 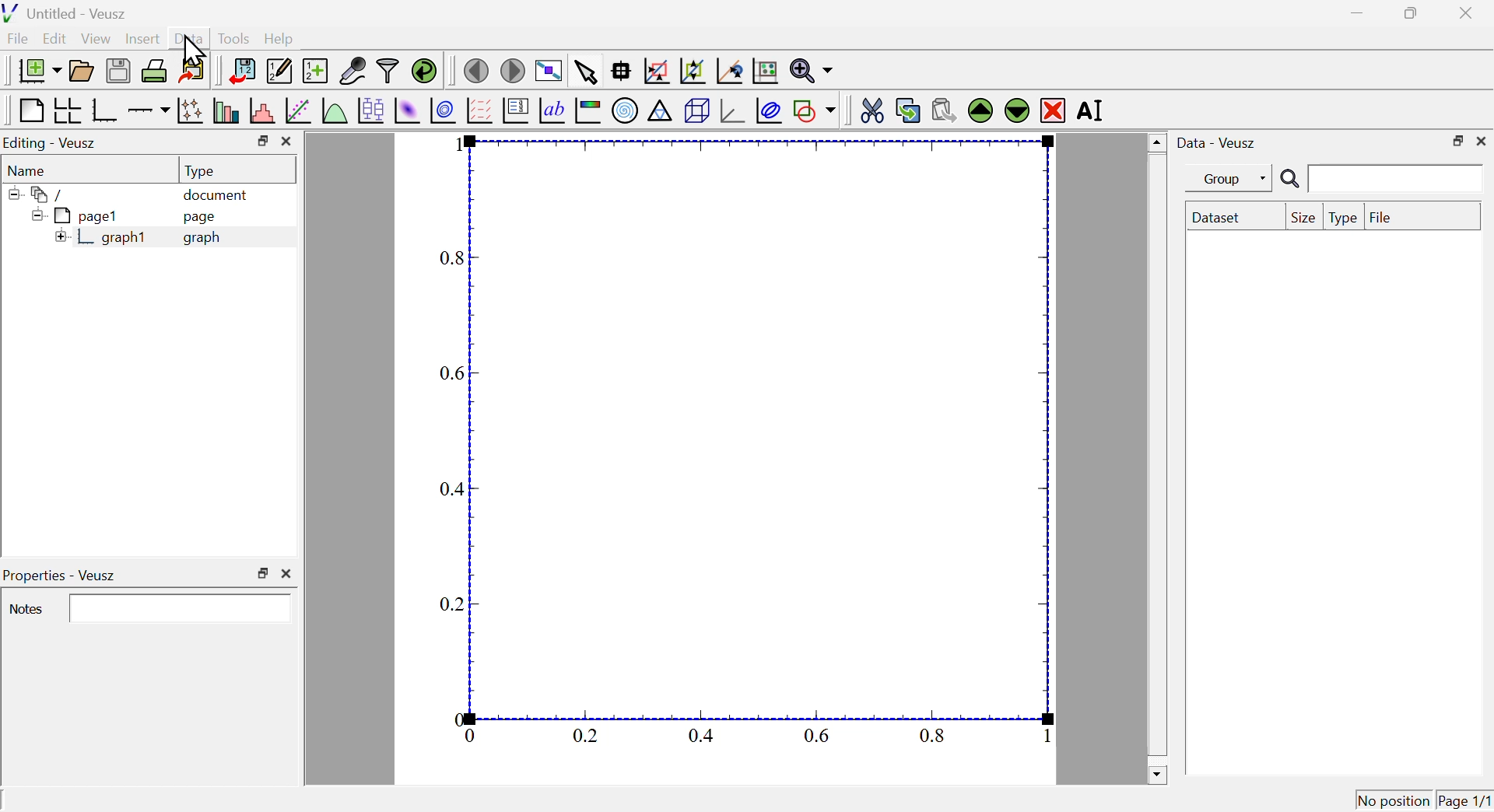 What do you see at coordinates (626, 111) in the screenshot?
I see `polar graph` at bounding box center [626, 111].